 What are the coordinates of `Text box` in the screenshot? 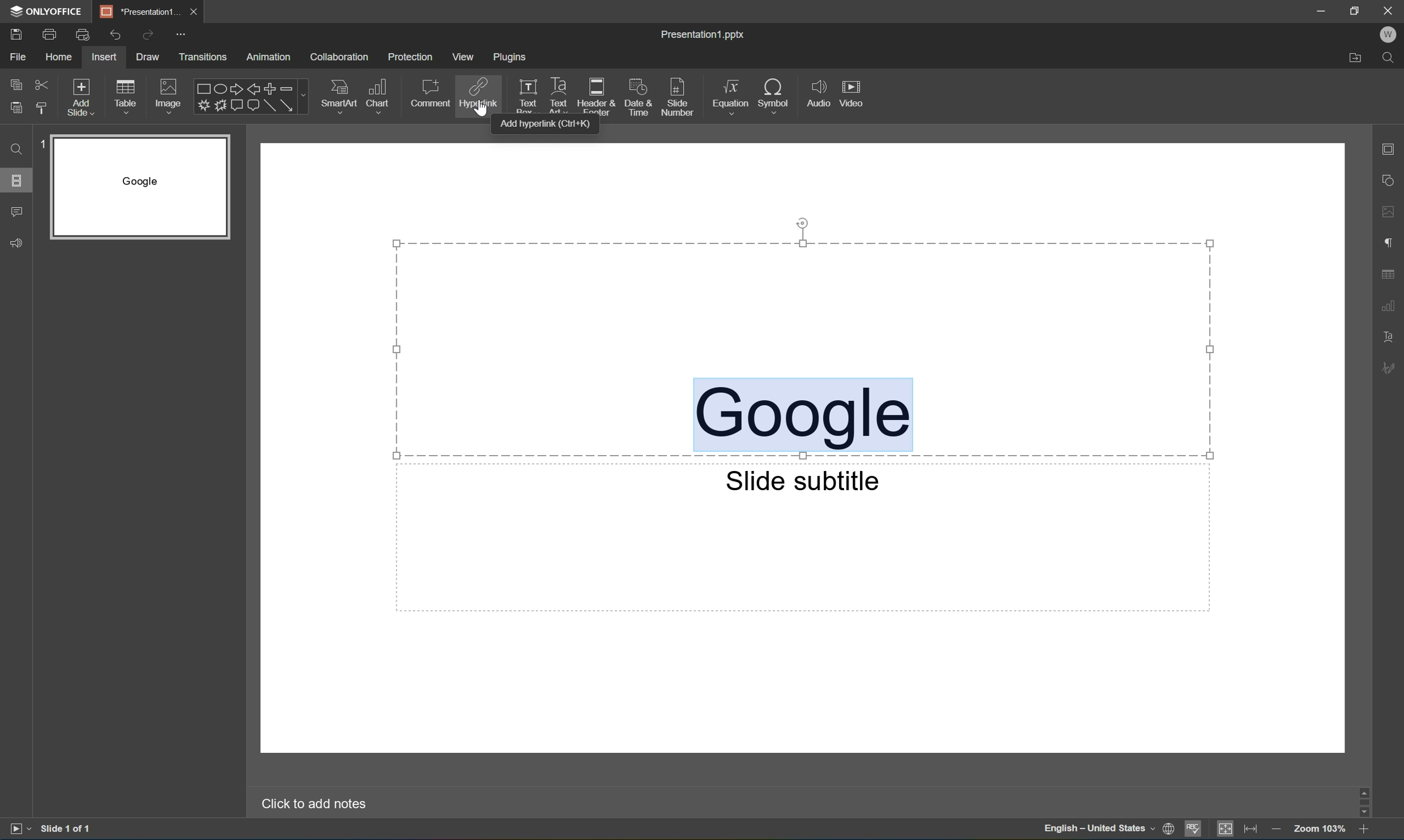 It's located at (526, 94).